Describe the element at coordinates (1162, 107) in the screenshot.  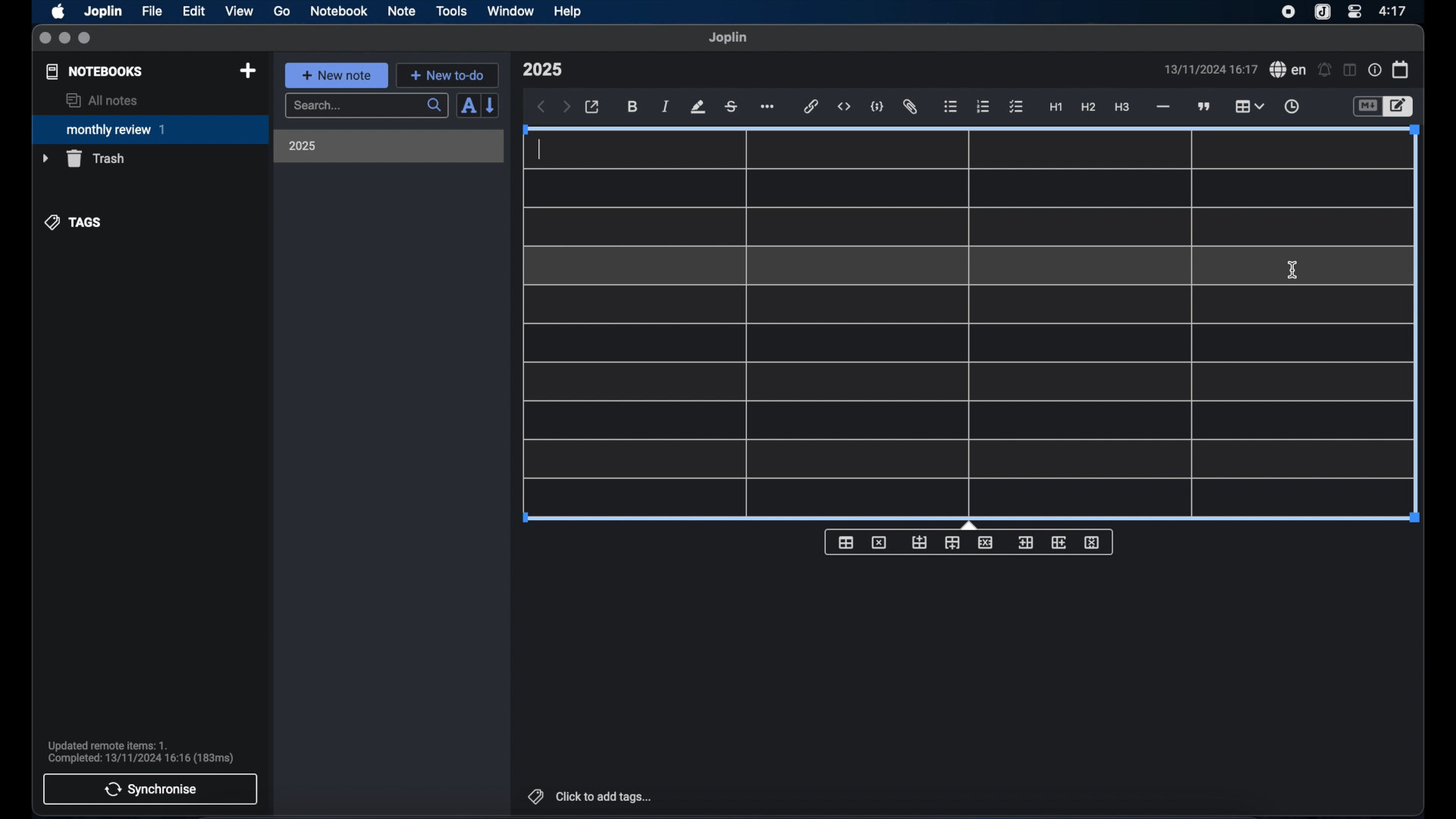
I see `horizontal rule` at that location.